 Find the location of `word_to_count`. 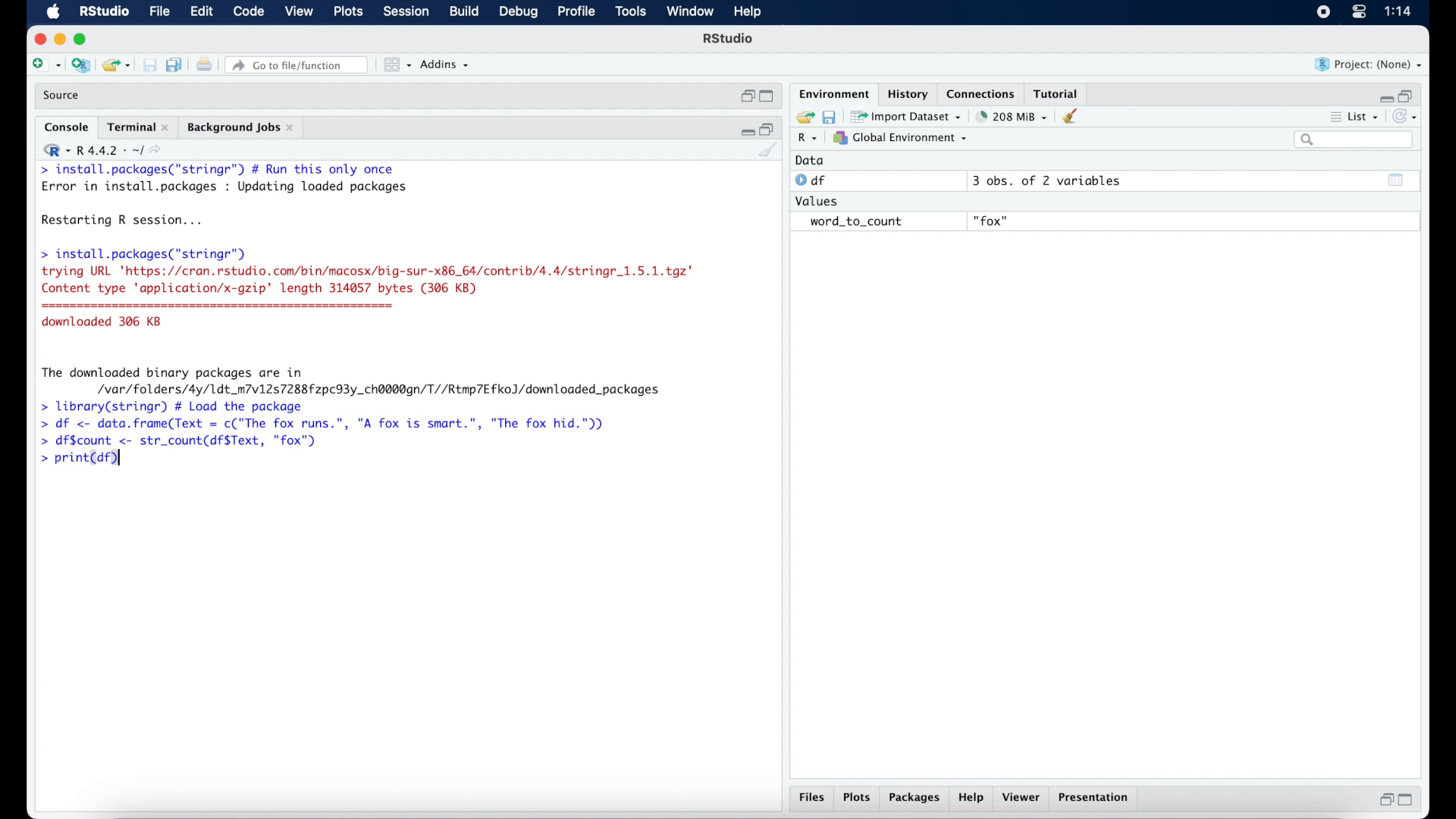

word_to_count is located at coordinates (854, 222).